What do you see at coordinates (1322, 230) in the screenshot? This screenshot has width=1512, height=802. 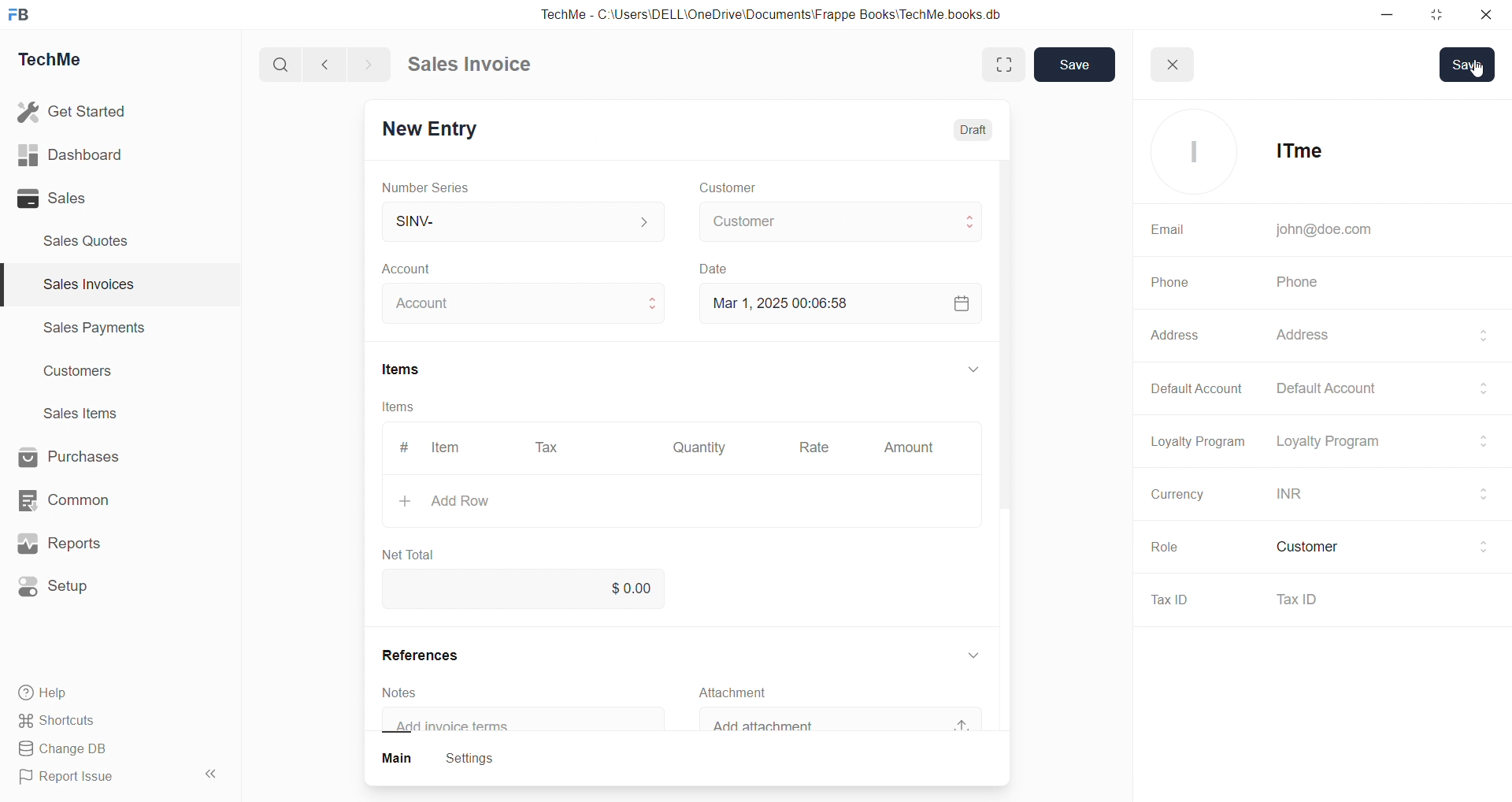 I see `john@doe.com` at bounding box center [1322, 230].